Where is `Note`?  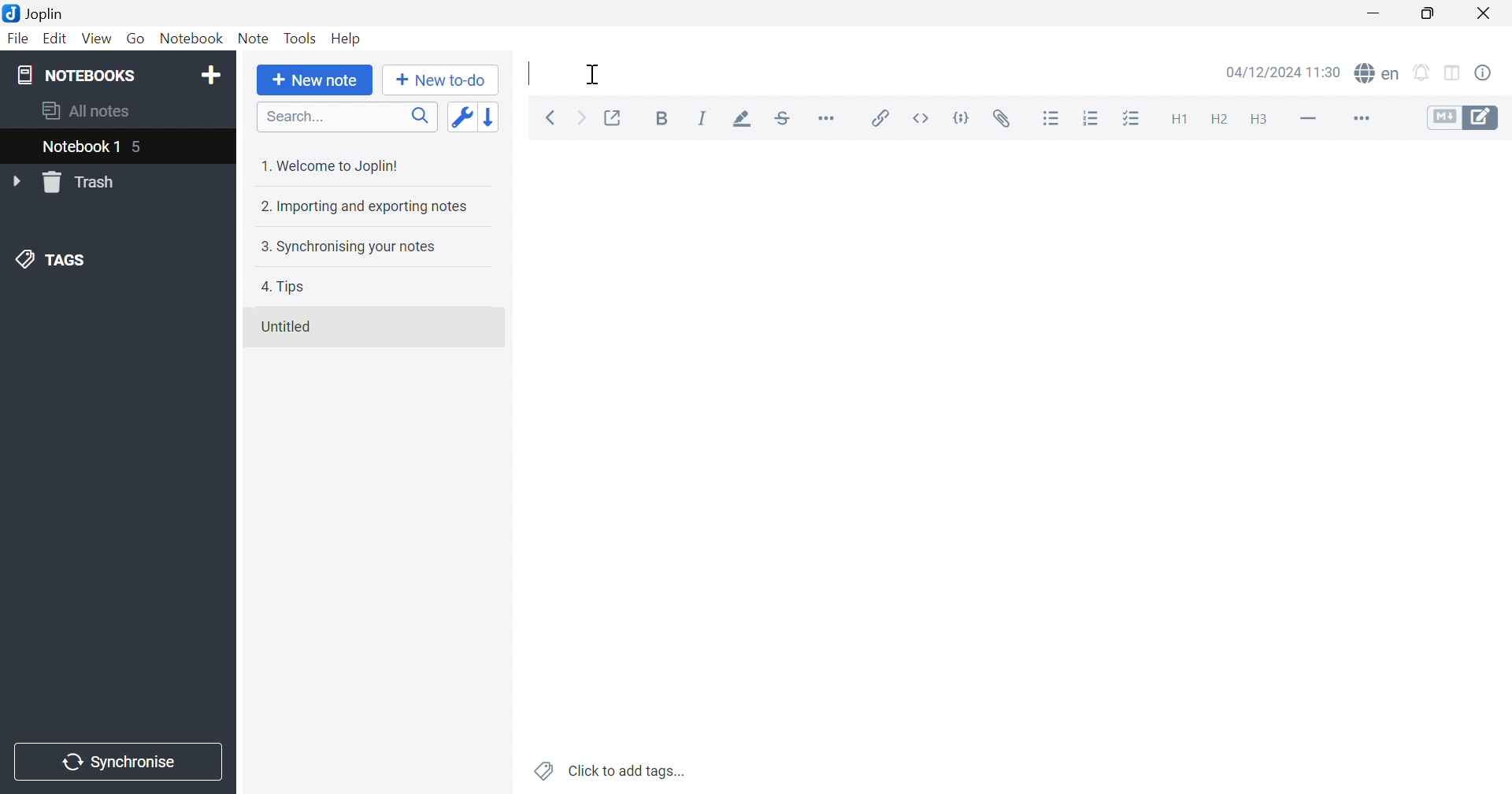 Note is located at coordinates (253, 40).